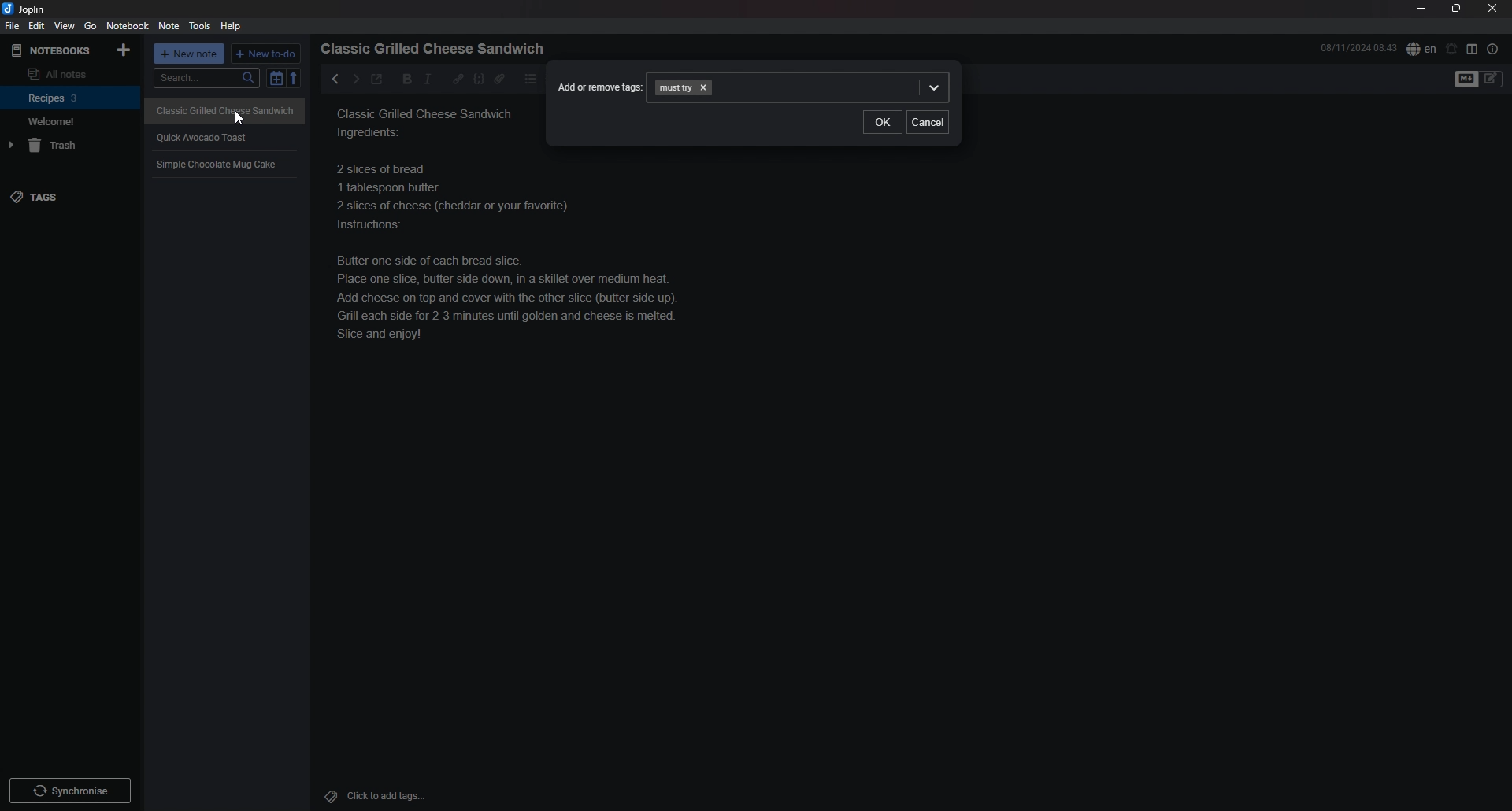  Describe the element at coordinates (267, 54) in the screenshot. I see `new todo` at that location.